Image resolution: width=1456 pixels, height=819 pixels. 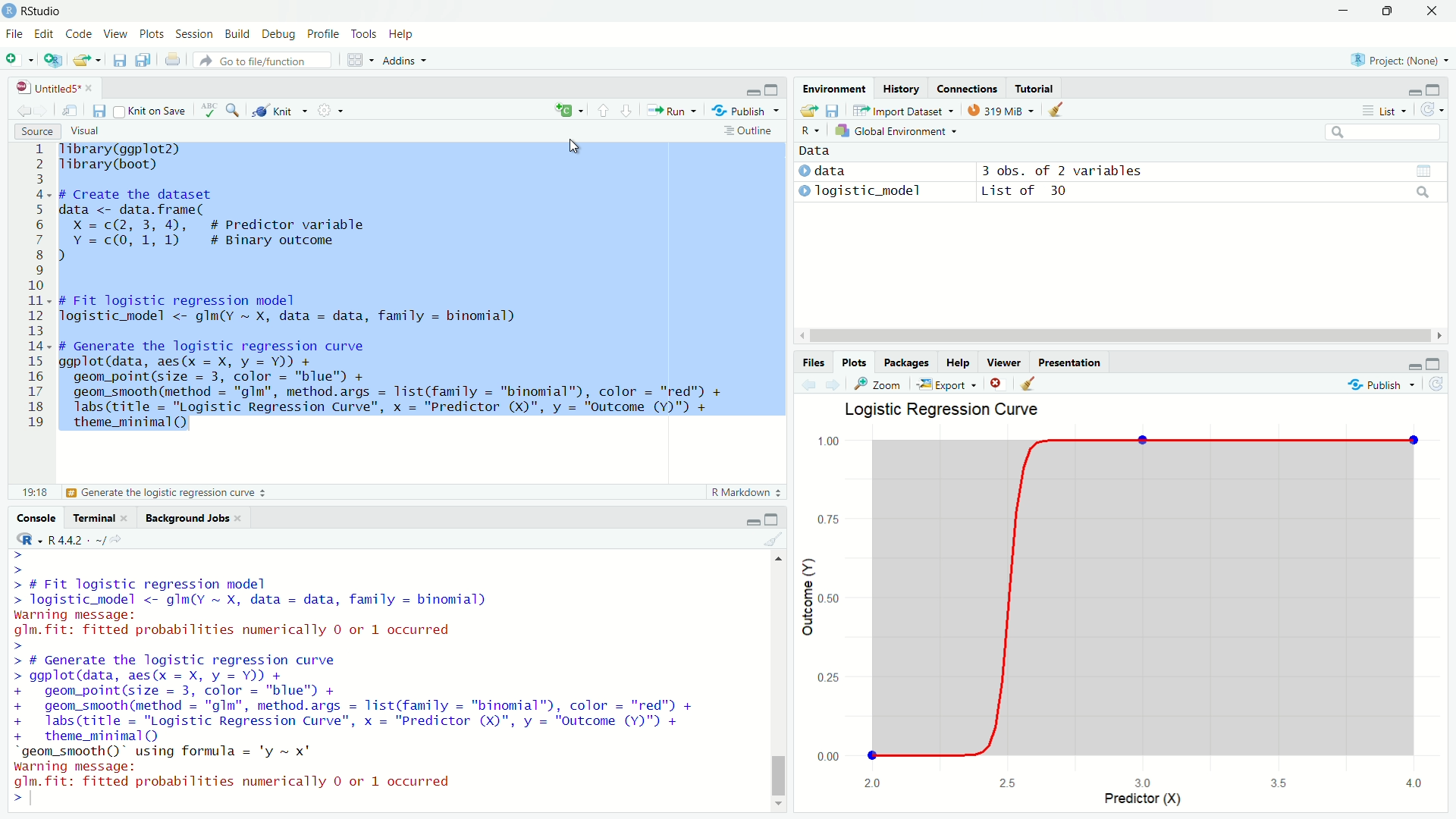 What do you see at coordinates (810, 131) in the screenshot?
I see `R` at bounding box center [810, 131].